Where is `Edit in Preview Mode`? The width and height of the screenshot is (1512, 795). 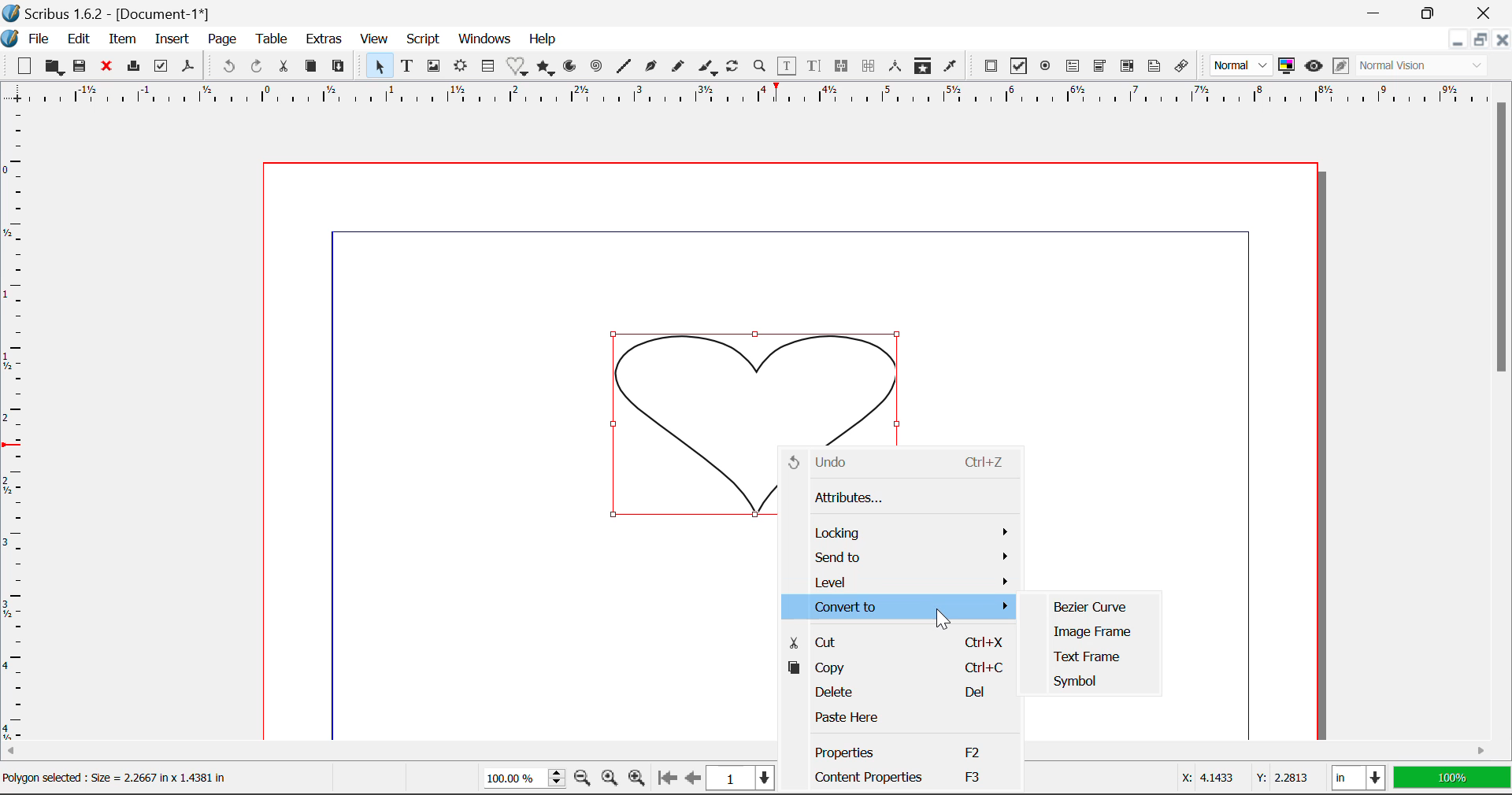
Edit in Preview Mode is located at coordinates (1340, 66).